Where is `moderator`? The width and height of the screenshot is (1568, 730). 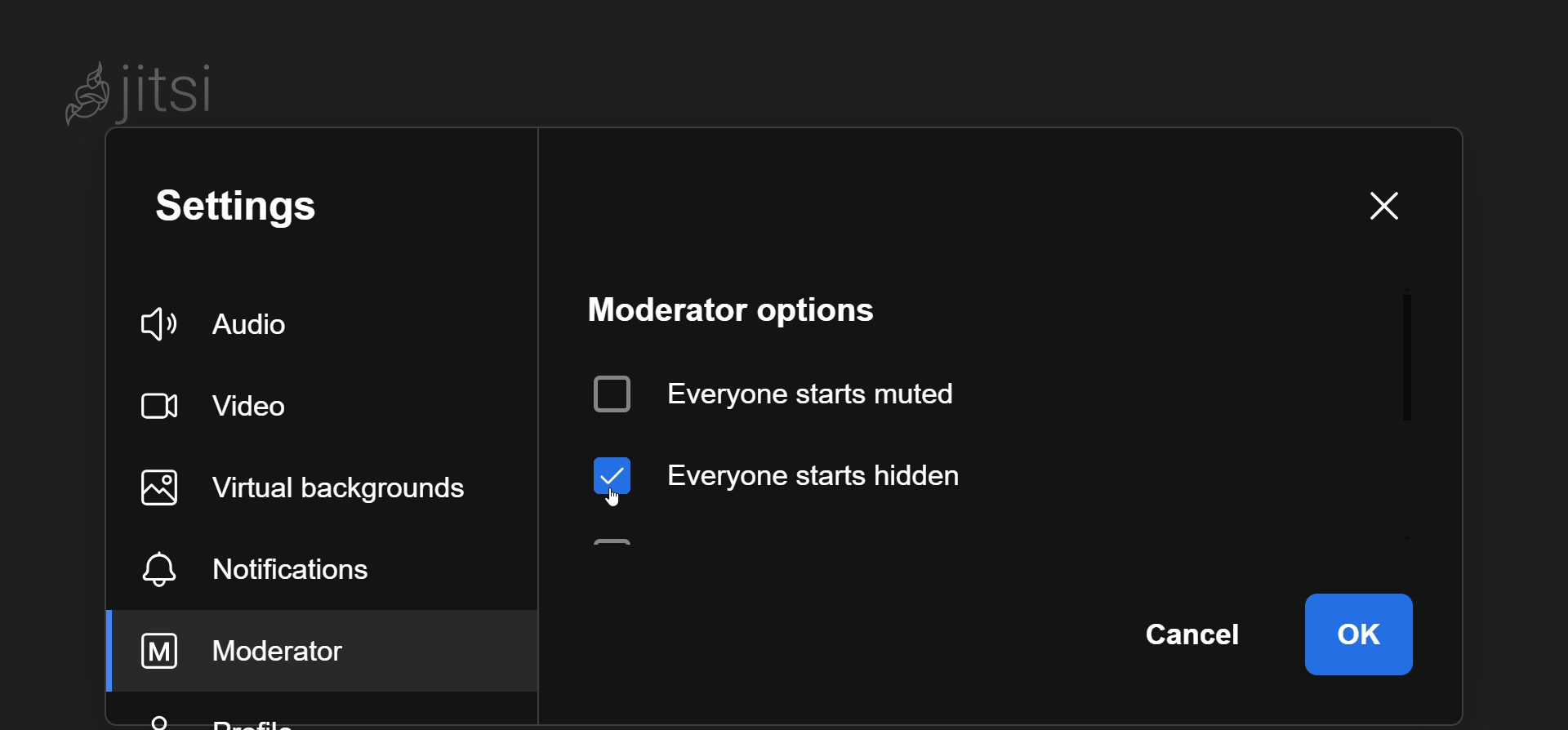
moderator is located at coordinates (261, 649).